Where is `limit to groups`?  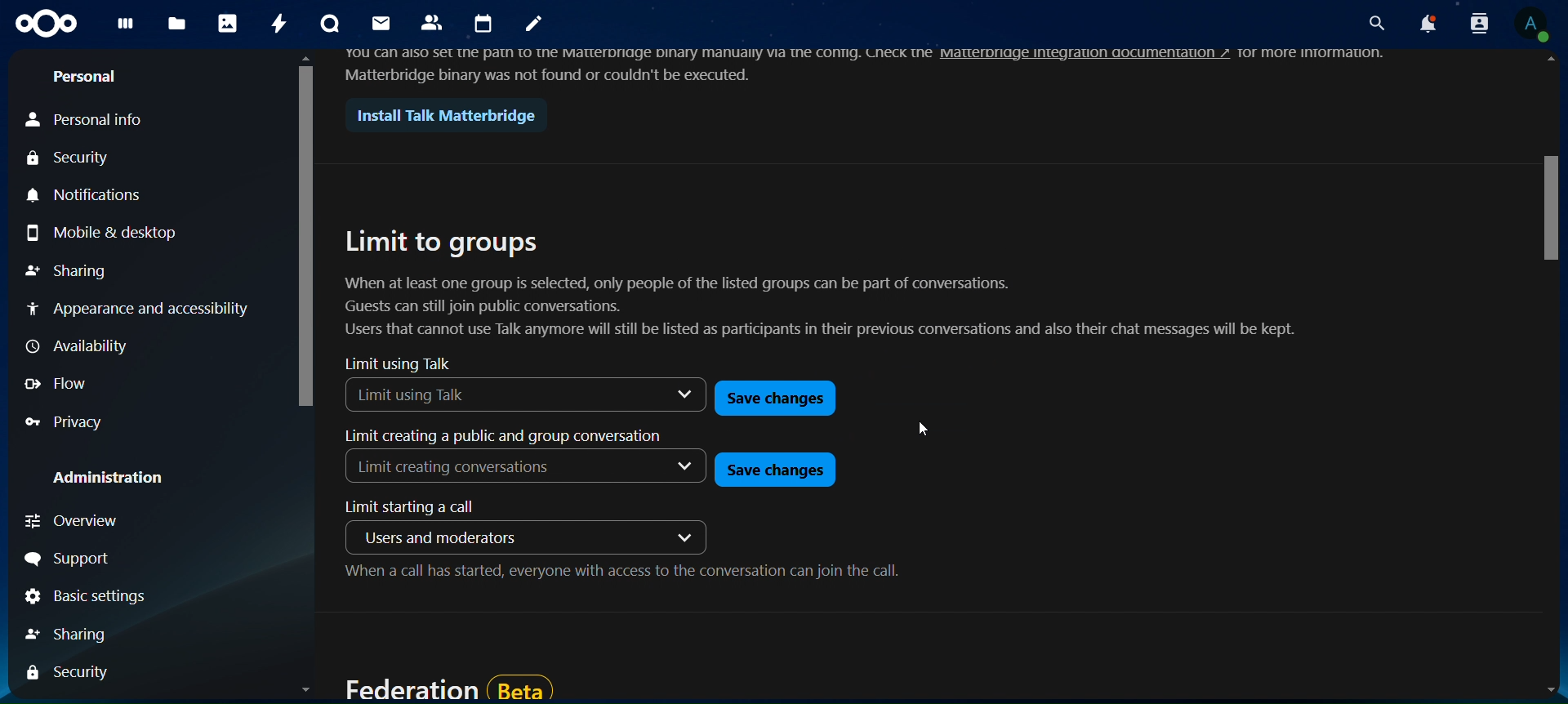
limit to groups is located at coordinates (834, 284).